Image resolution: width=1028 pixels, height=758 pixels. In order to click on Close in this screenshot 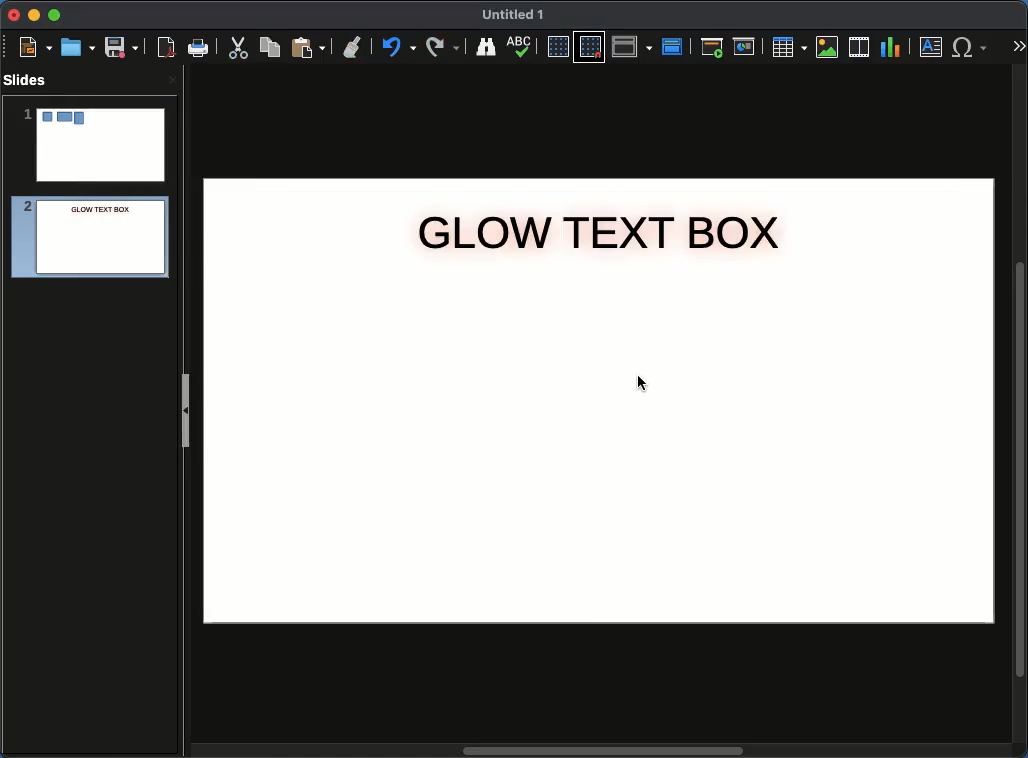, I will do `click(172, 79)`.